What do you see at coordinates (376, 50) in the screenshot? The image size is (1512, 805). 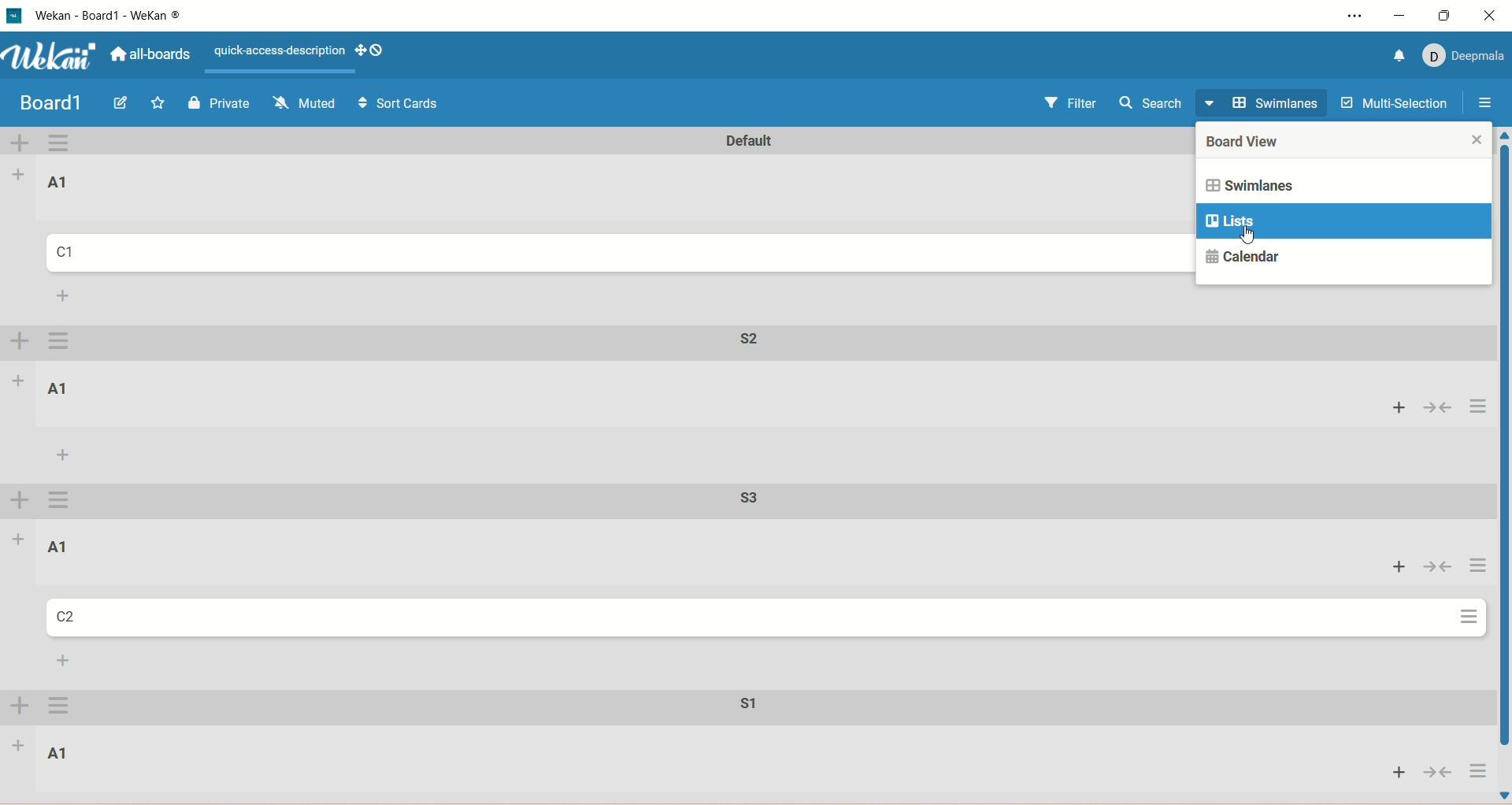 I see `show-desktop-drag-handles` at bounding box center [376, 50].